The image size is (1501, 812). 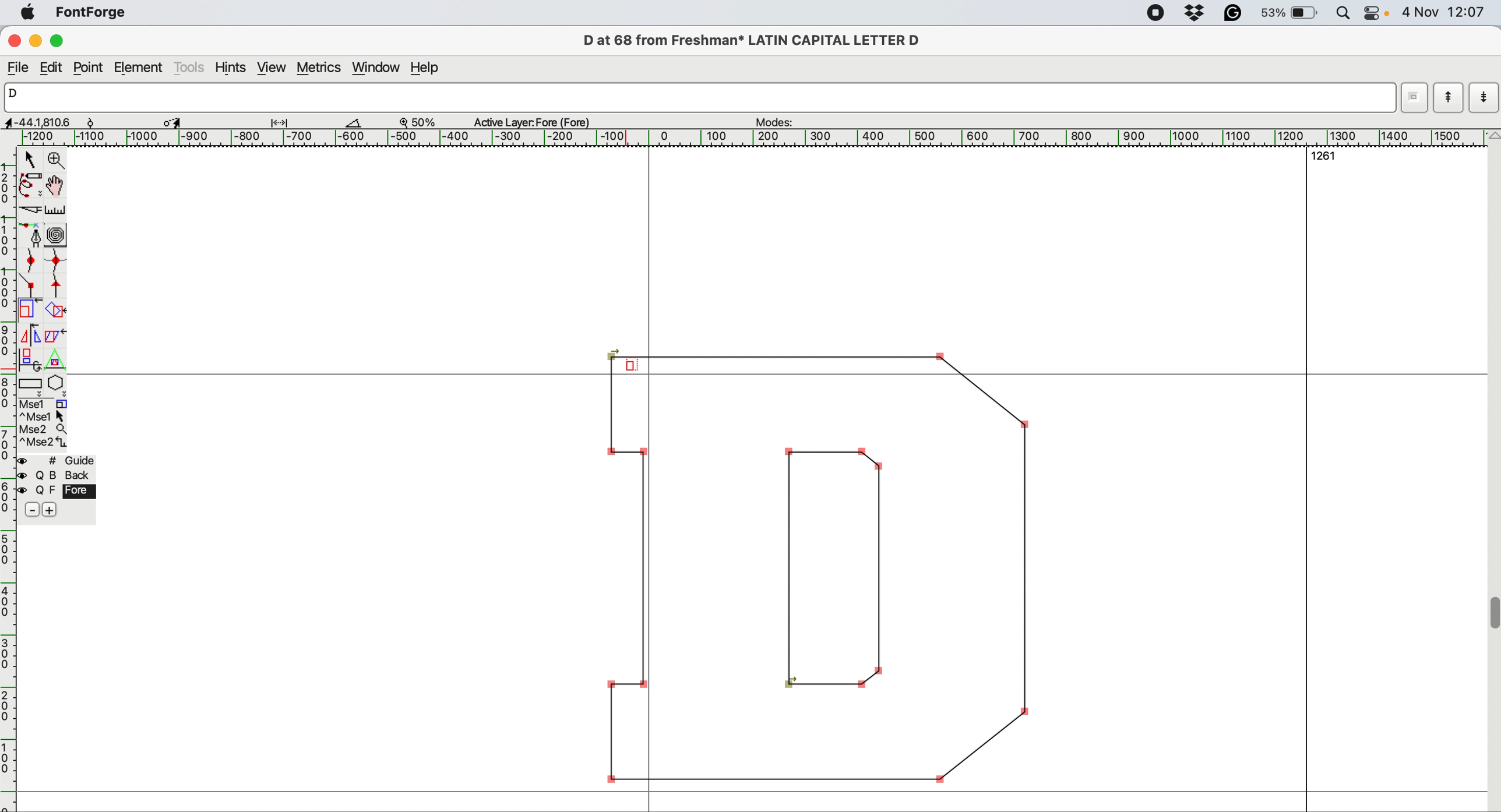 I want to click on zoom detail, so click(x=413, y=122).